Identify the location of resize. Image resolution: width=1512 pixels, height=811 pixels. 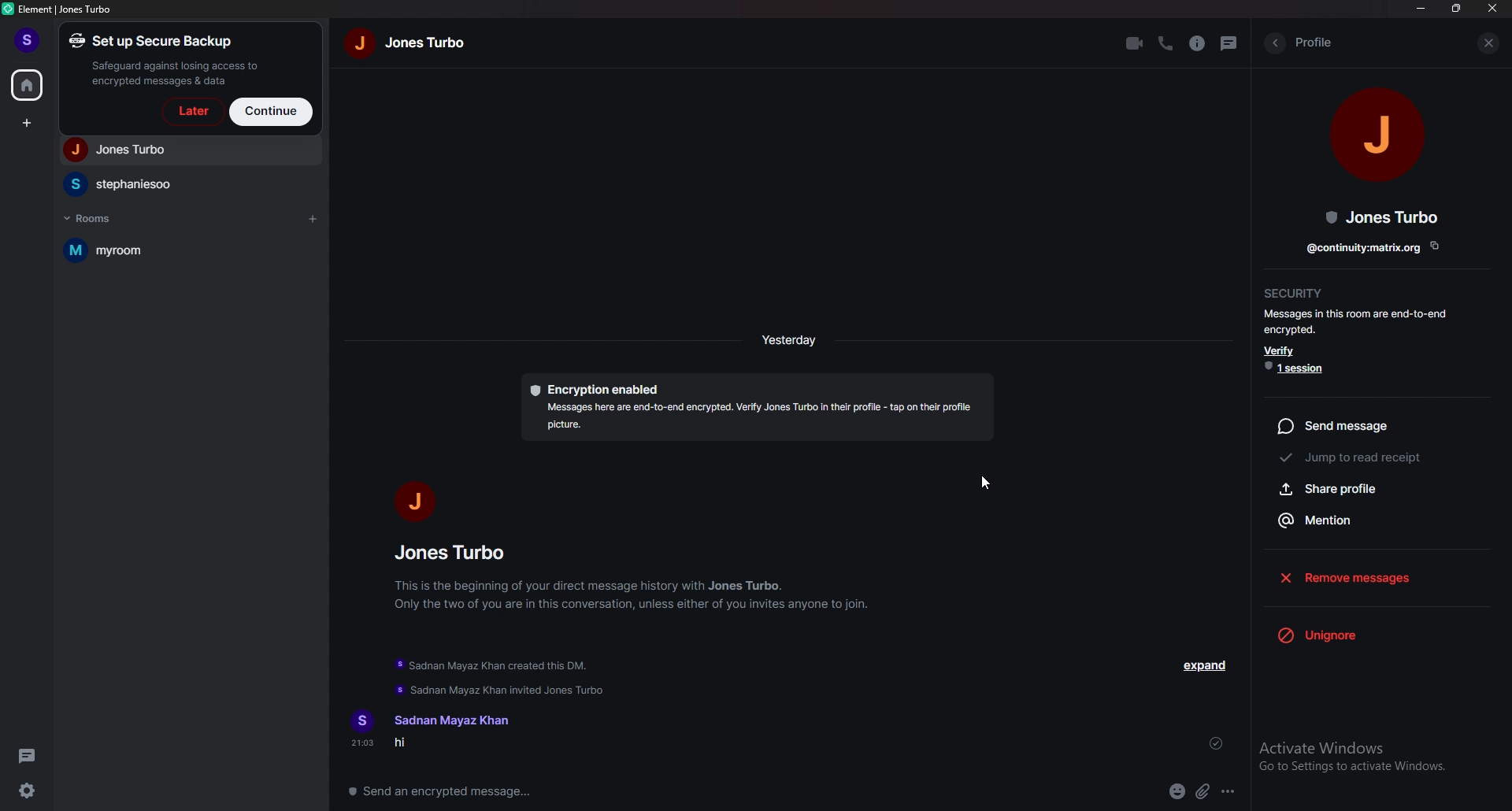
(1457, 8).